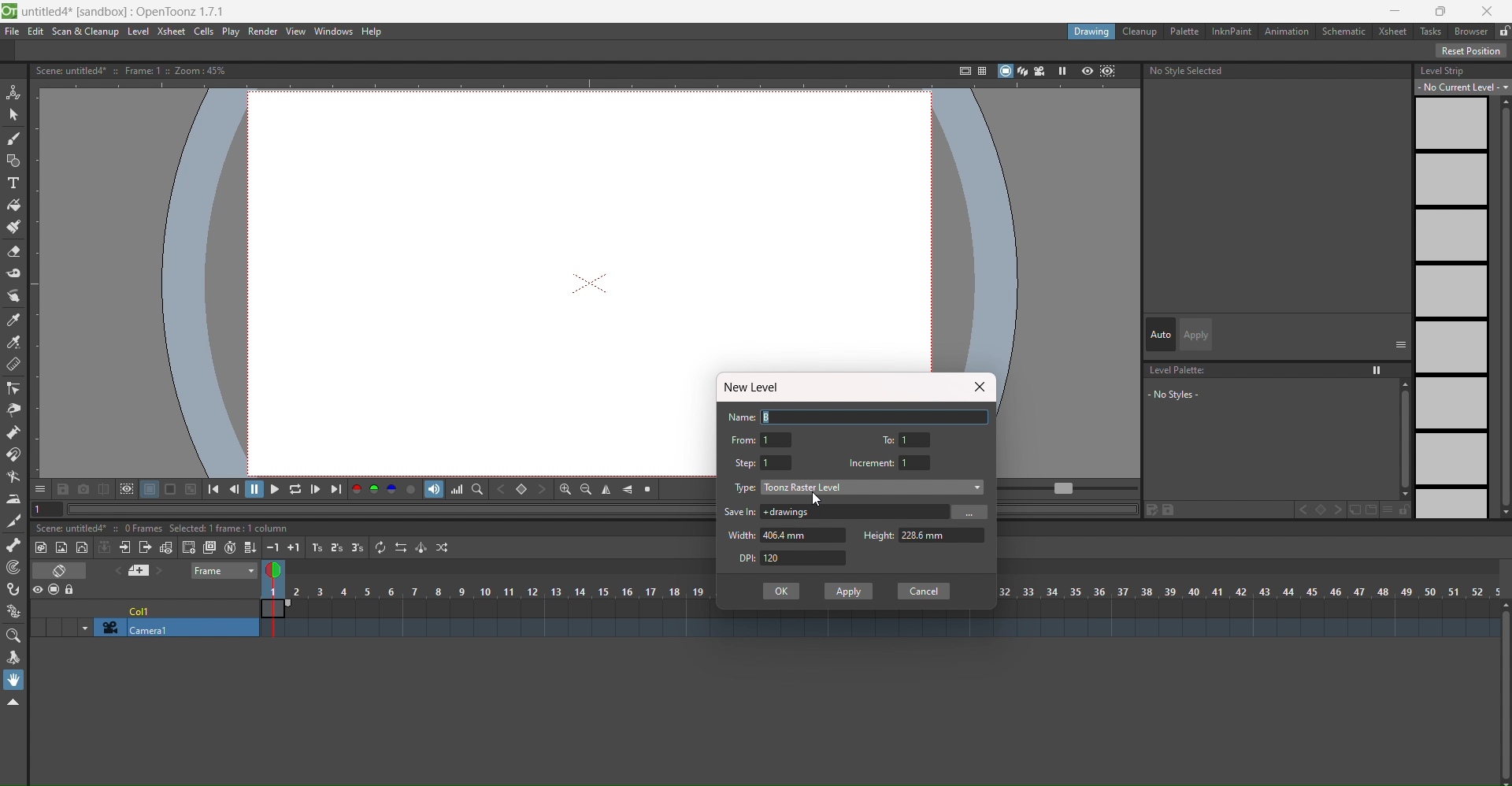  What do you see at coordinates (15, 321) in the screenshot?
I see `style picker` at bounding box center [15, 321].